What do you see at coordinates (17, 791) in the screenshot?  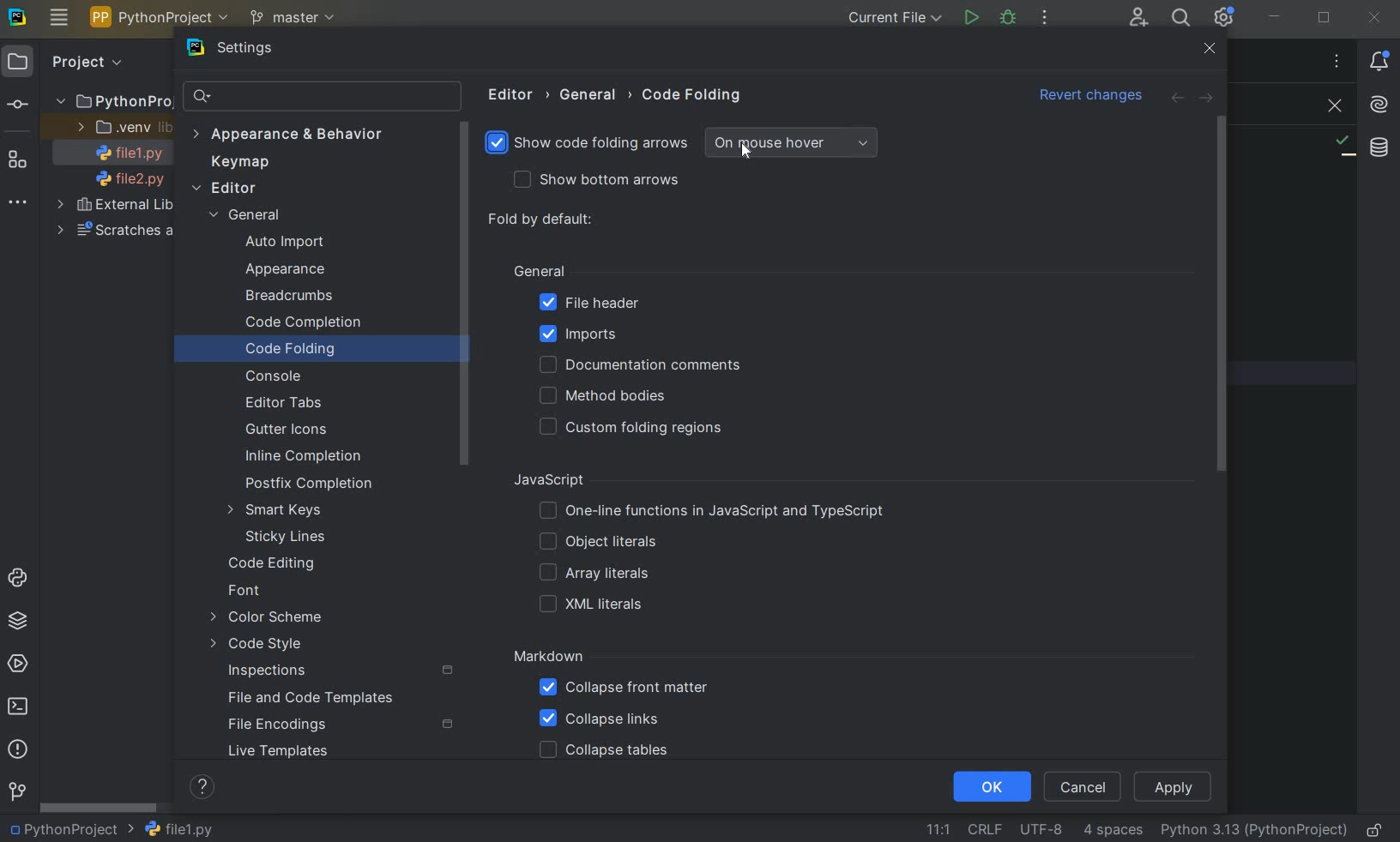 I see `GIT` at bounding box center [17, 791].